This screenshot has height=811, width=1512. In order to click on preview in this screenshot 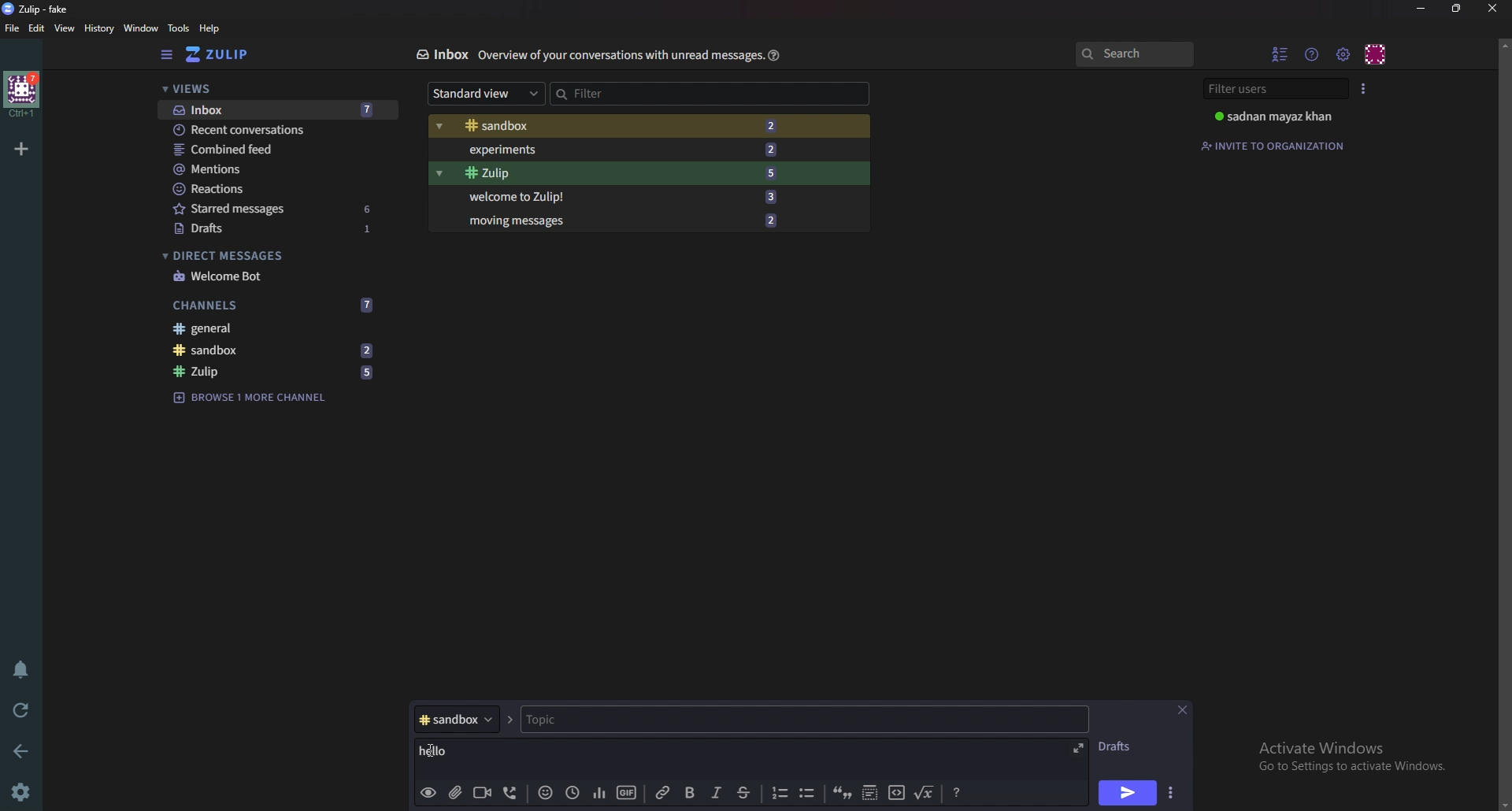, I will do `click(428, 791)`.